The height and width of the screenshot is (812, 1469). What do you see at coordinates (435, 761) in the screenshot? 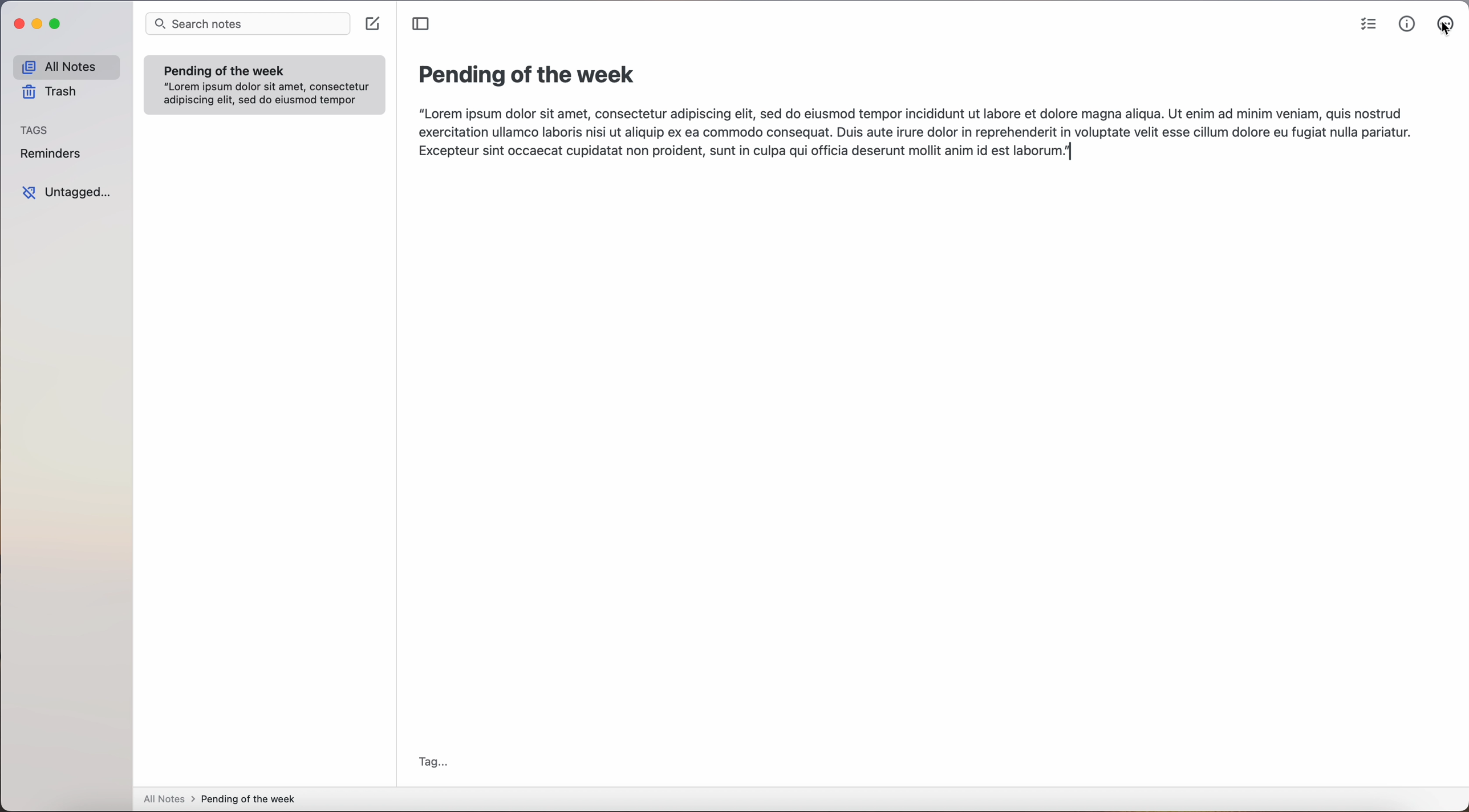
I see `tag` at bounding box center [435, 761].